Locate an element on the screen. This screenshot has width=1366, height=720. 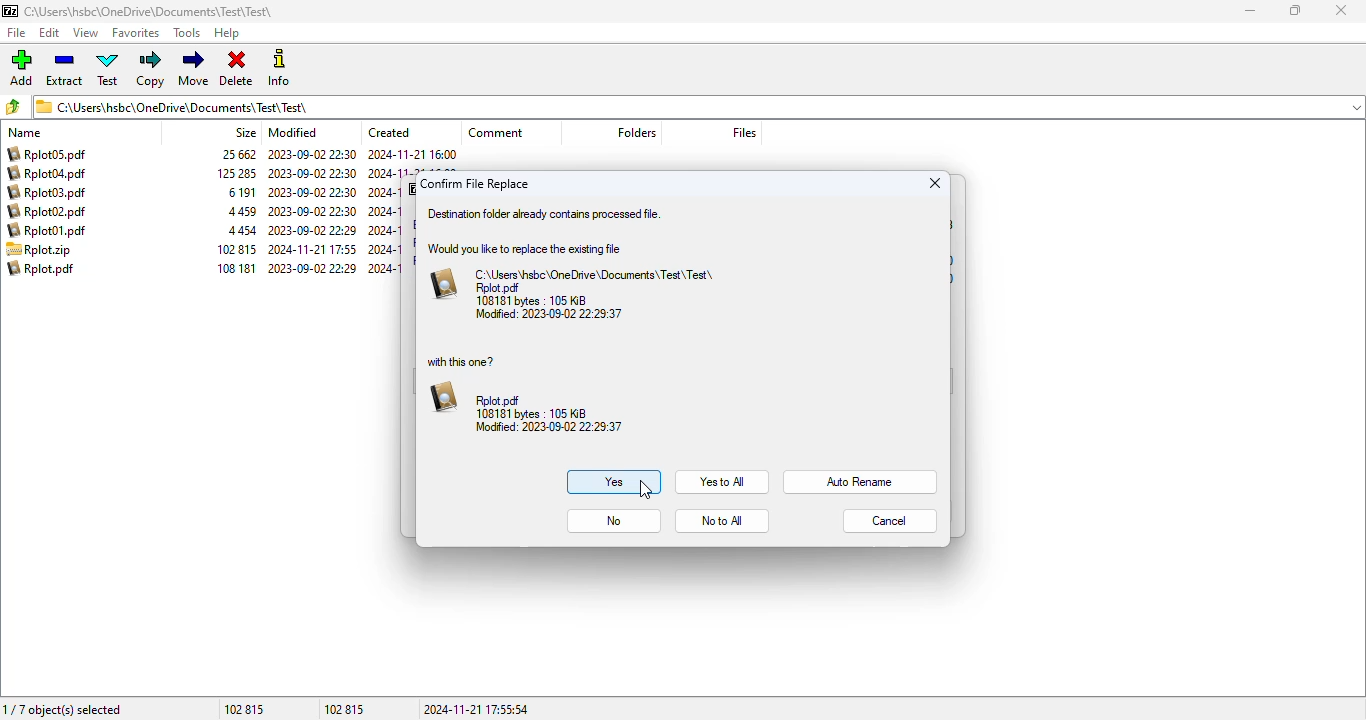
1/7 object(s) selected is located at coordinates (65, 707).